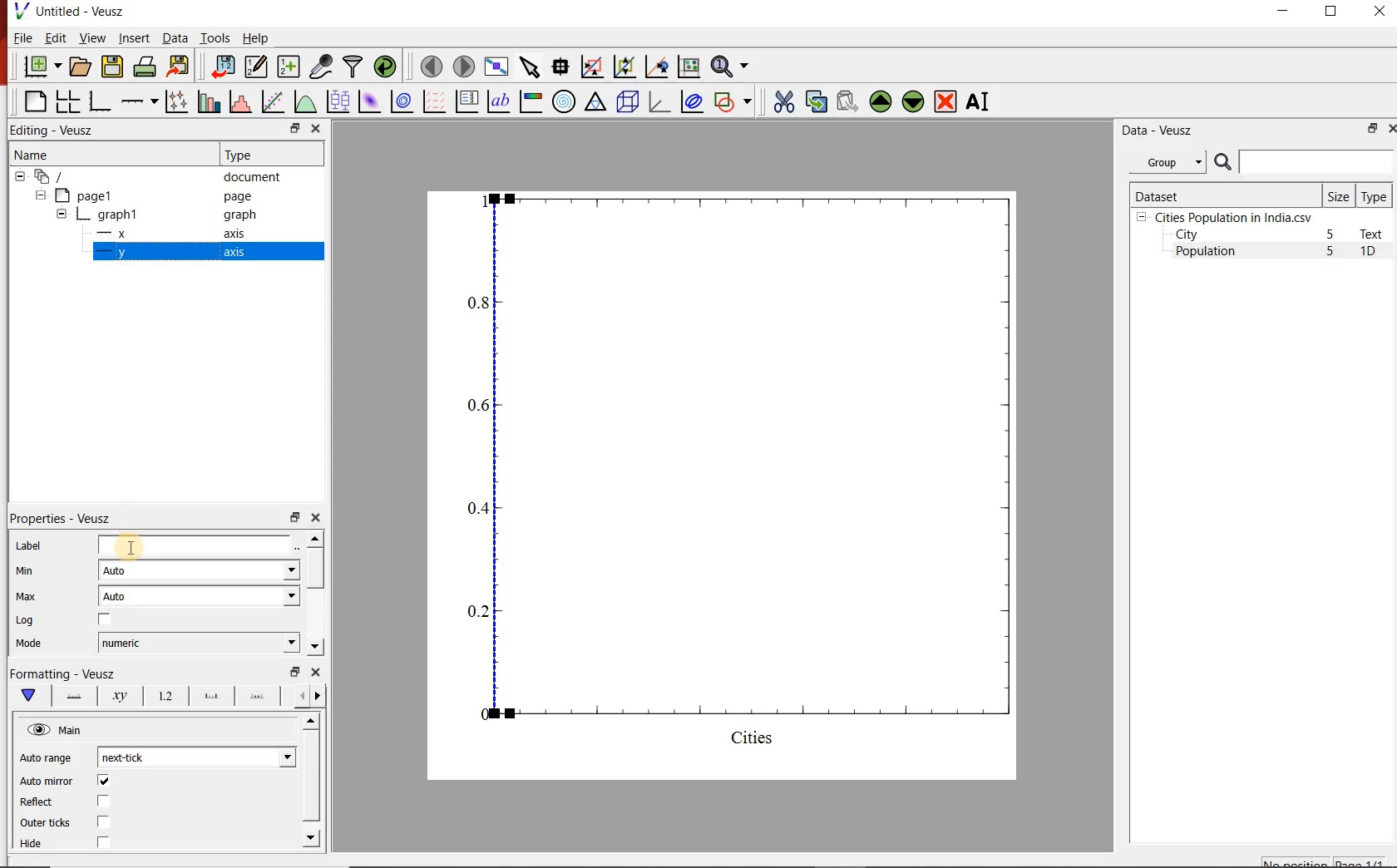 The image size is (1397, 868). I want to click on Auto mirror, so click(48, 780).